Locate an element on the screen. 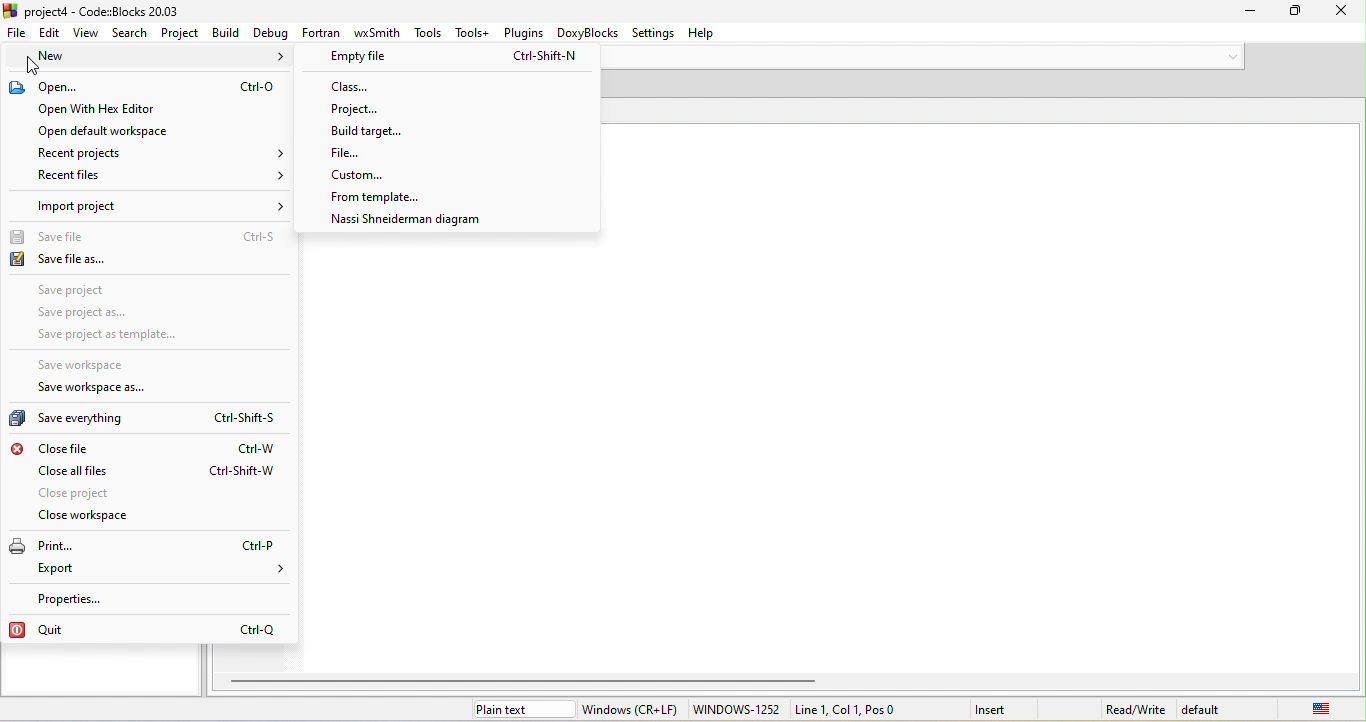 The image size is (1366, 722). default is located at coordinates (1208, 708).